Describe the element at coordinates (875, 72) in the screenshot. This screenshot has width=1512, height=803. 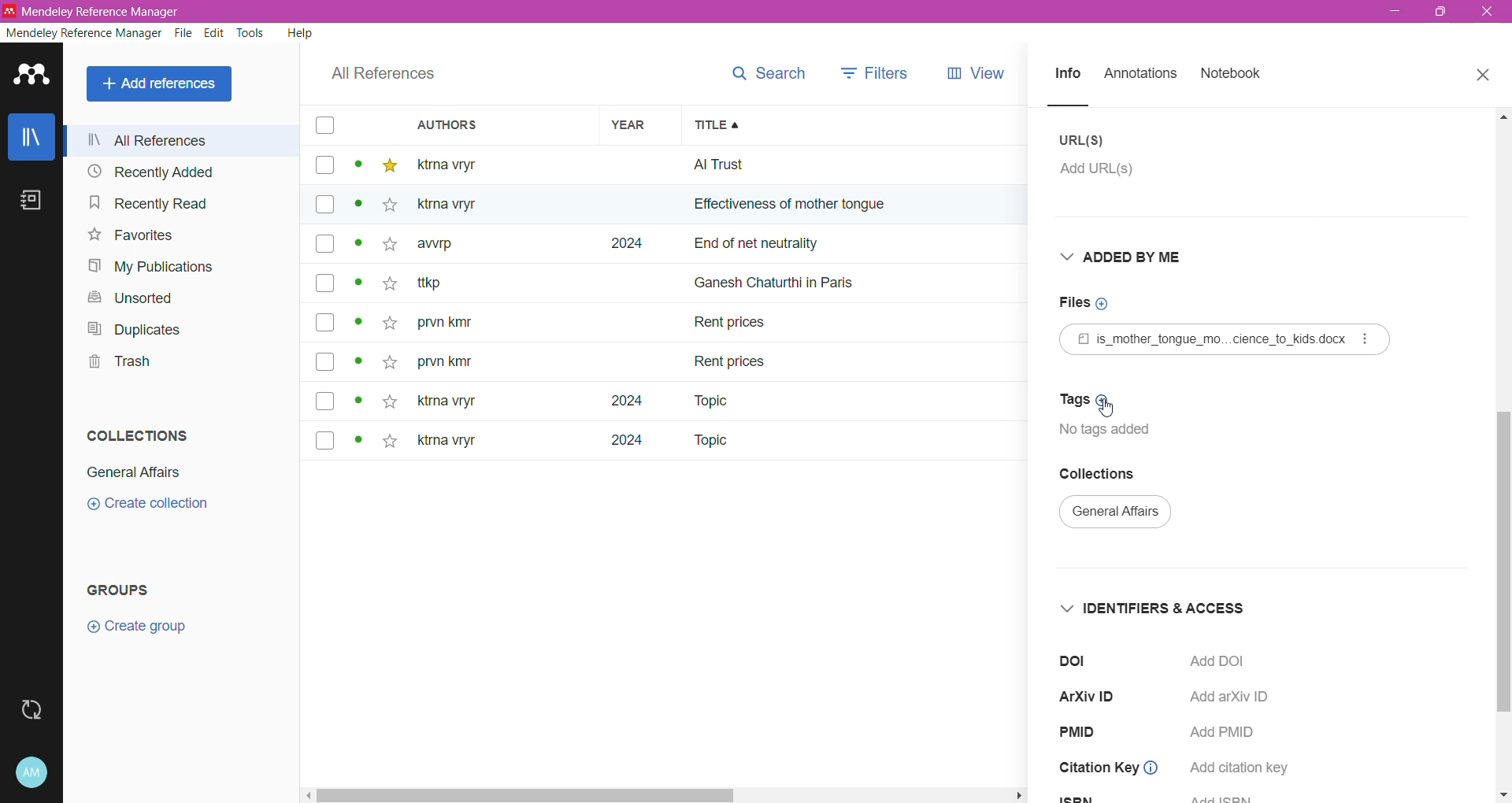
I see `filters ` at that location.